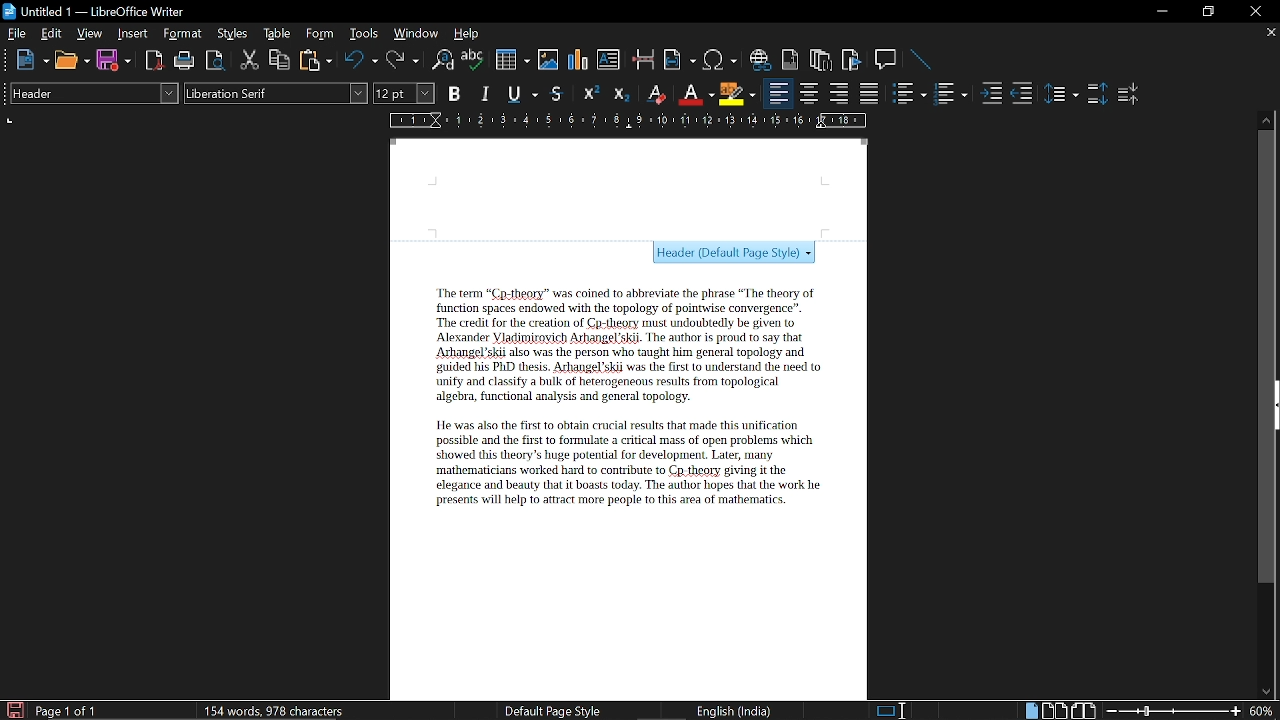  Describe the element at coordinates (808, 93) in the screenshot. I see `Center` at that location.